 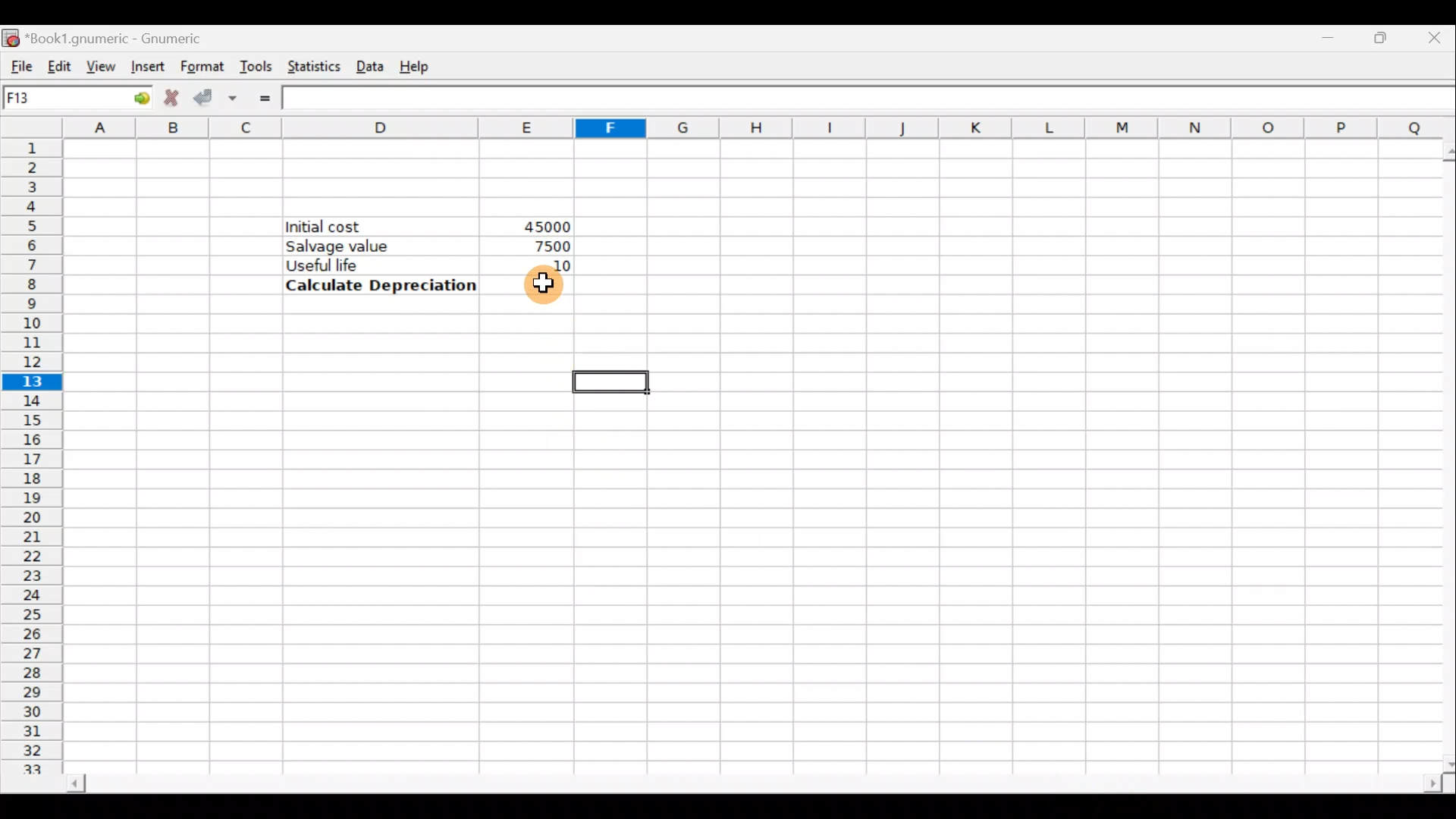 I want to click on Rows, so click(x=36, y=458).